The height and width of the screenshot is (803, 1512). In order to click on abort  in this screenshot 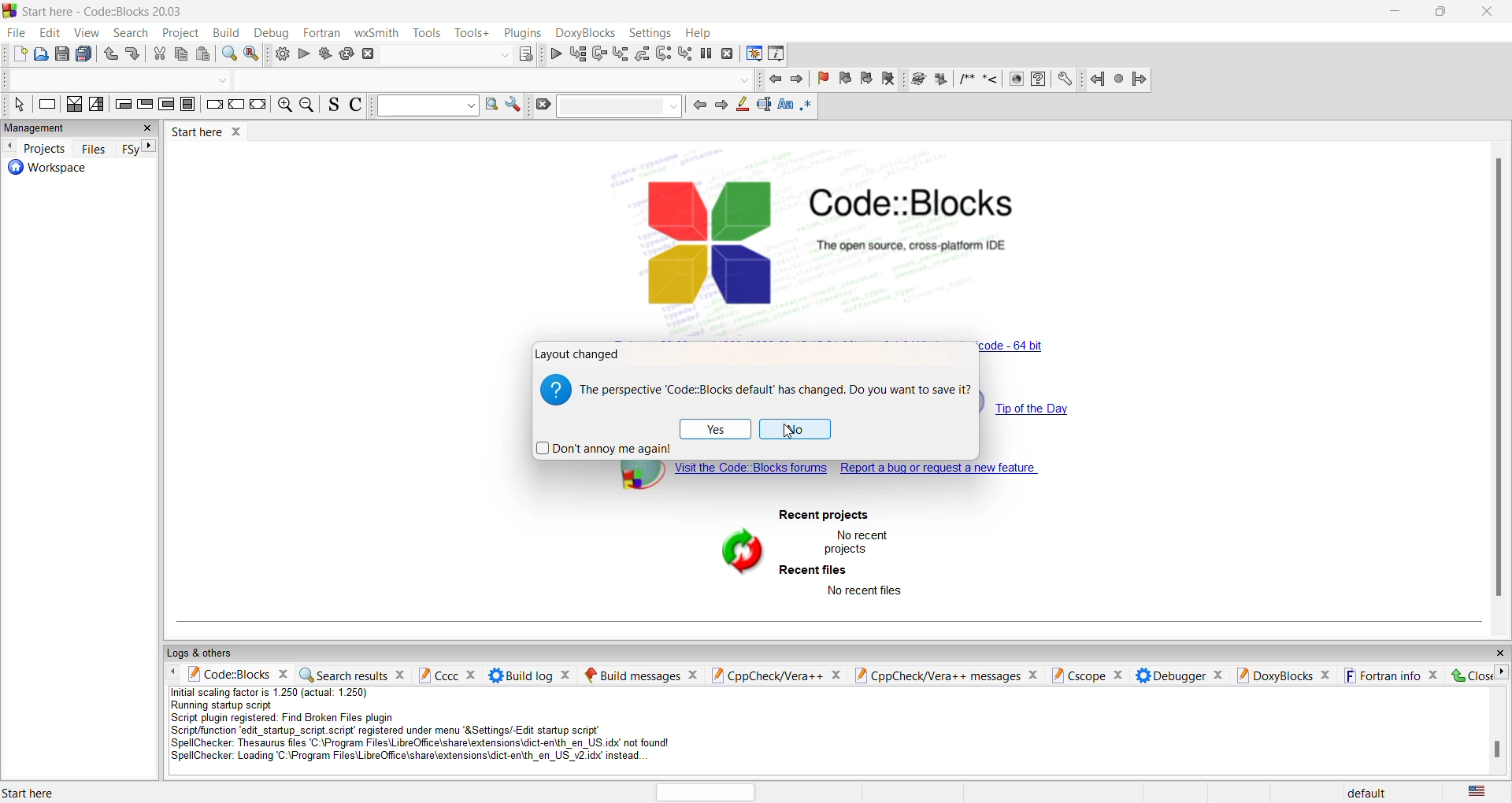, I will do `click(369, 55)`.